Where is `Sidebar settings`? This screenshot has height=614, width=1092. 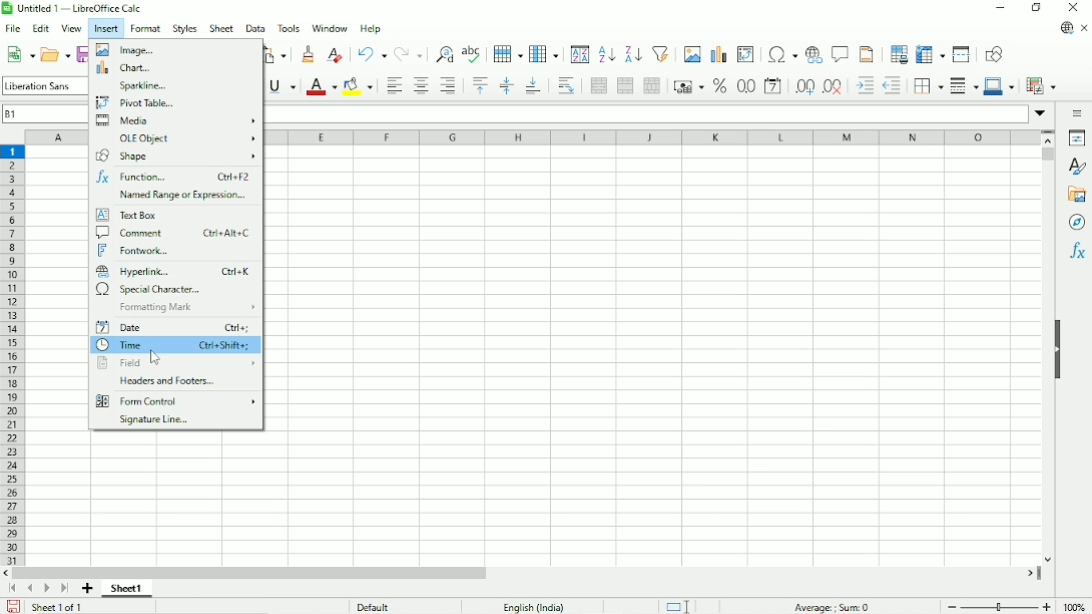 Sidebar settings is located at coordinates (1075, 114).